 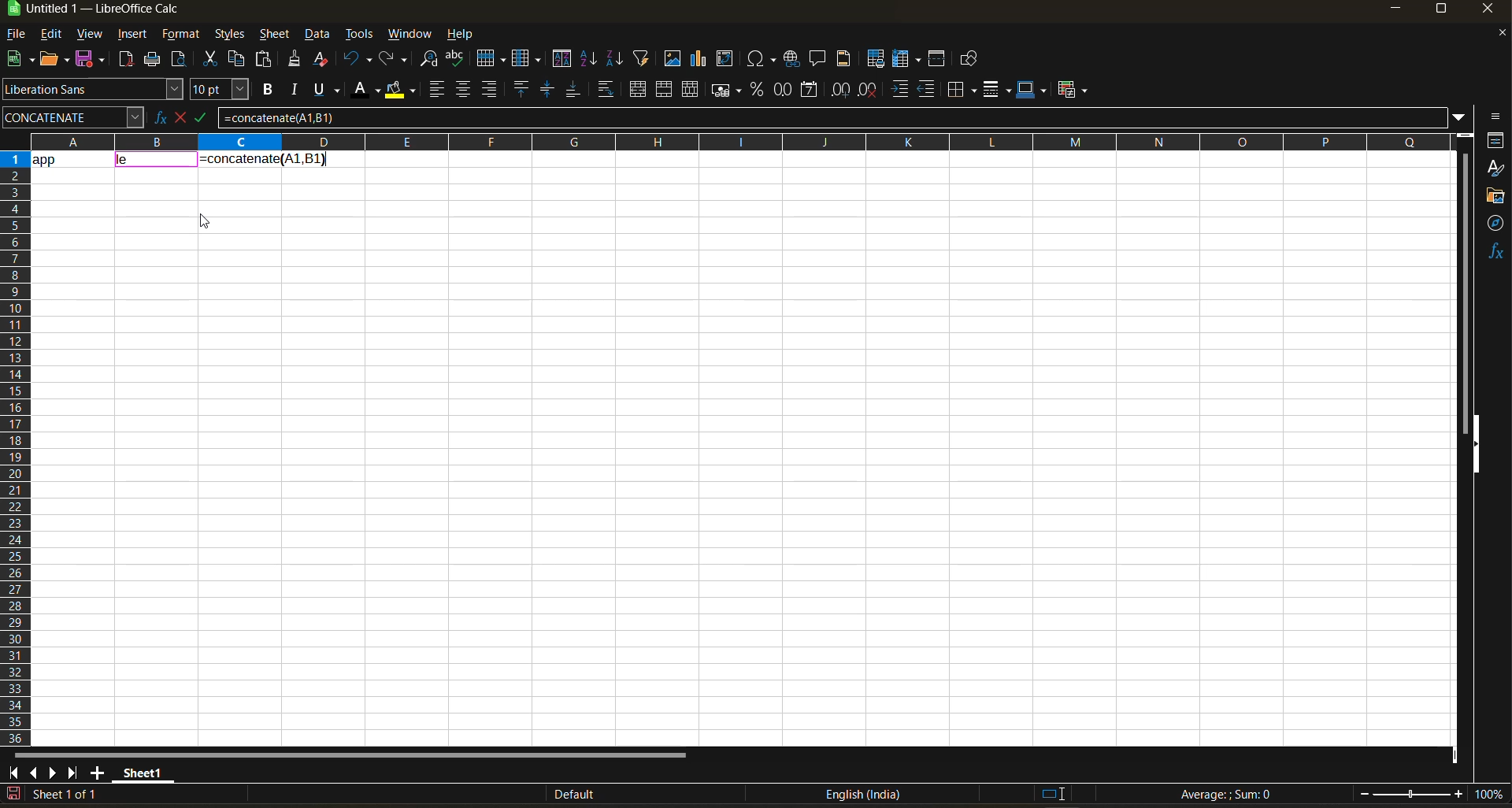 What do you see at coordinates (465, 35) in the screenshot?
I see `help` at bounding box center [465, 35].